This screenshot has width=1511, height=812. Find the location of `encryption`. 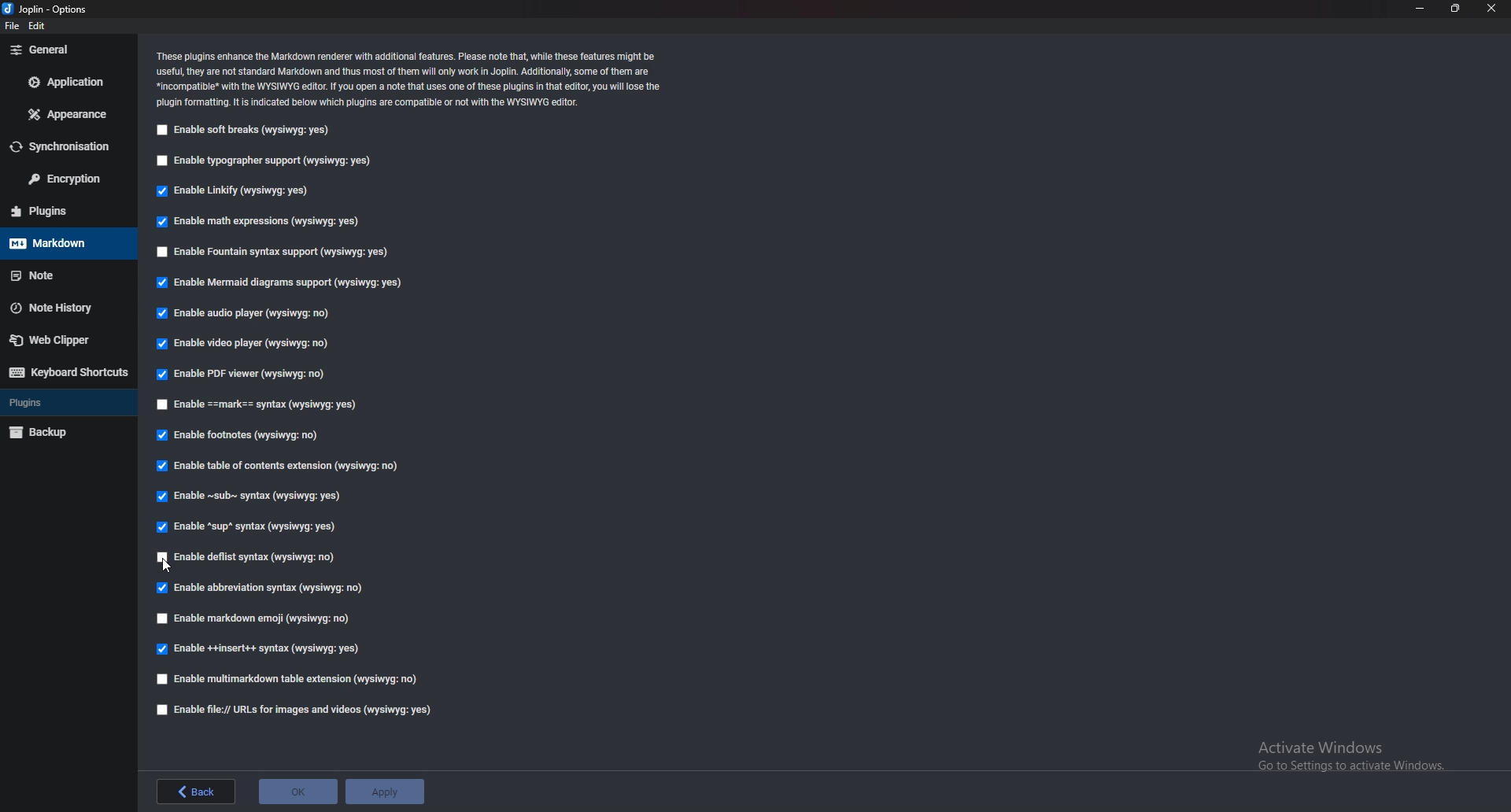

encryption is located at coordinates (66, 178).